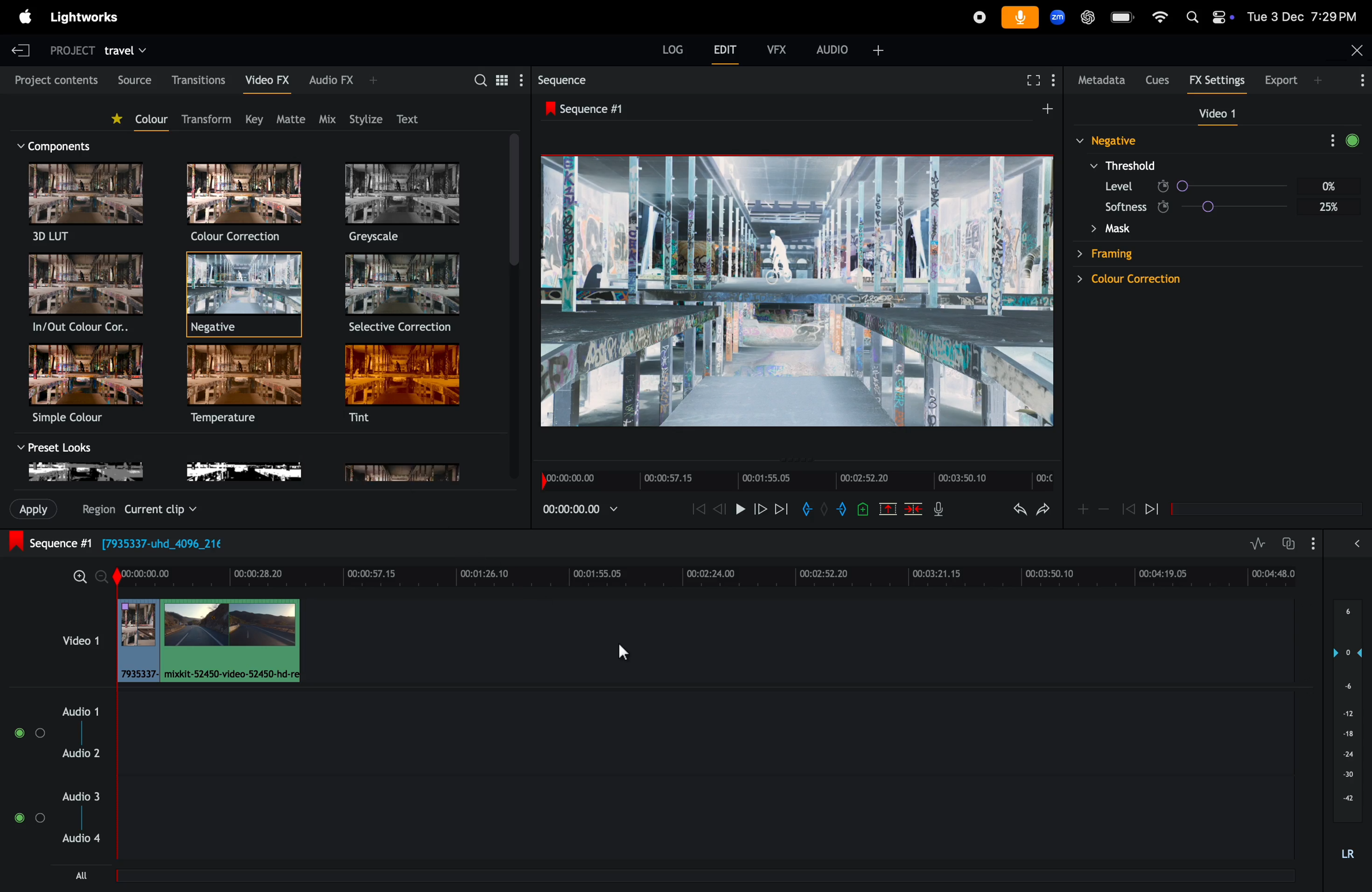 The height and width of the screenshot is (892, 1372). I want to click on wifi, so click(1160, 16).